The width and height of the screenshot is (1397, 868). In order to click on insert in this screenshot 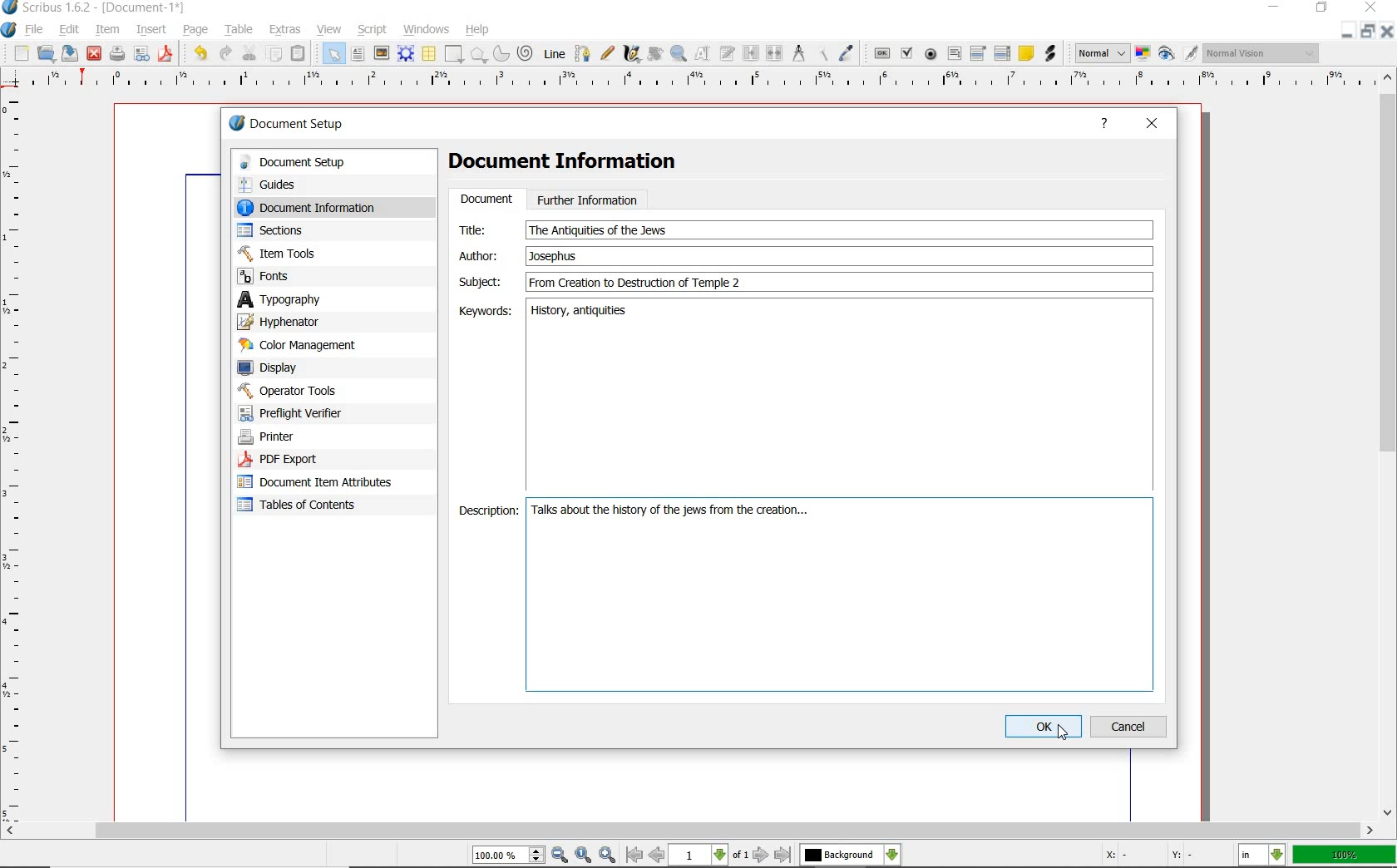, I will do `click(151, 29)`.